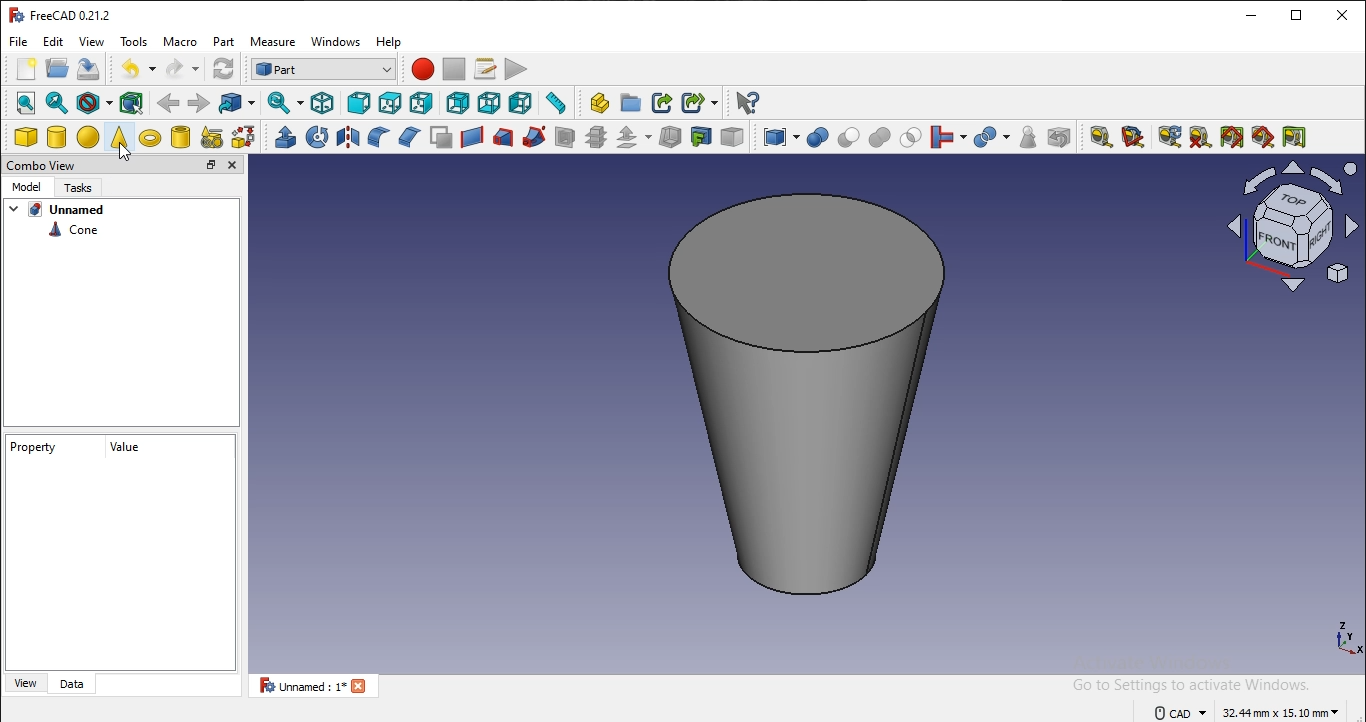 The width and height of the screenshot is (1366, 722). What do you see at coordinates (73, 234) in the screenshot?
I see `cone` at bounding box center [73, 234].